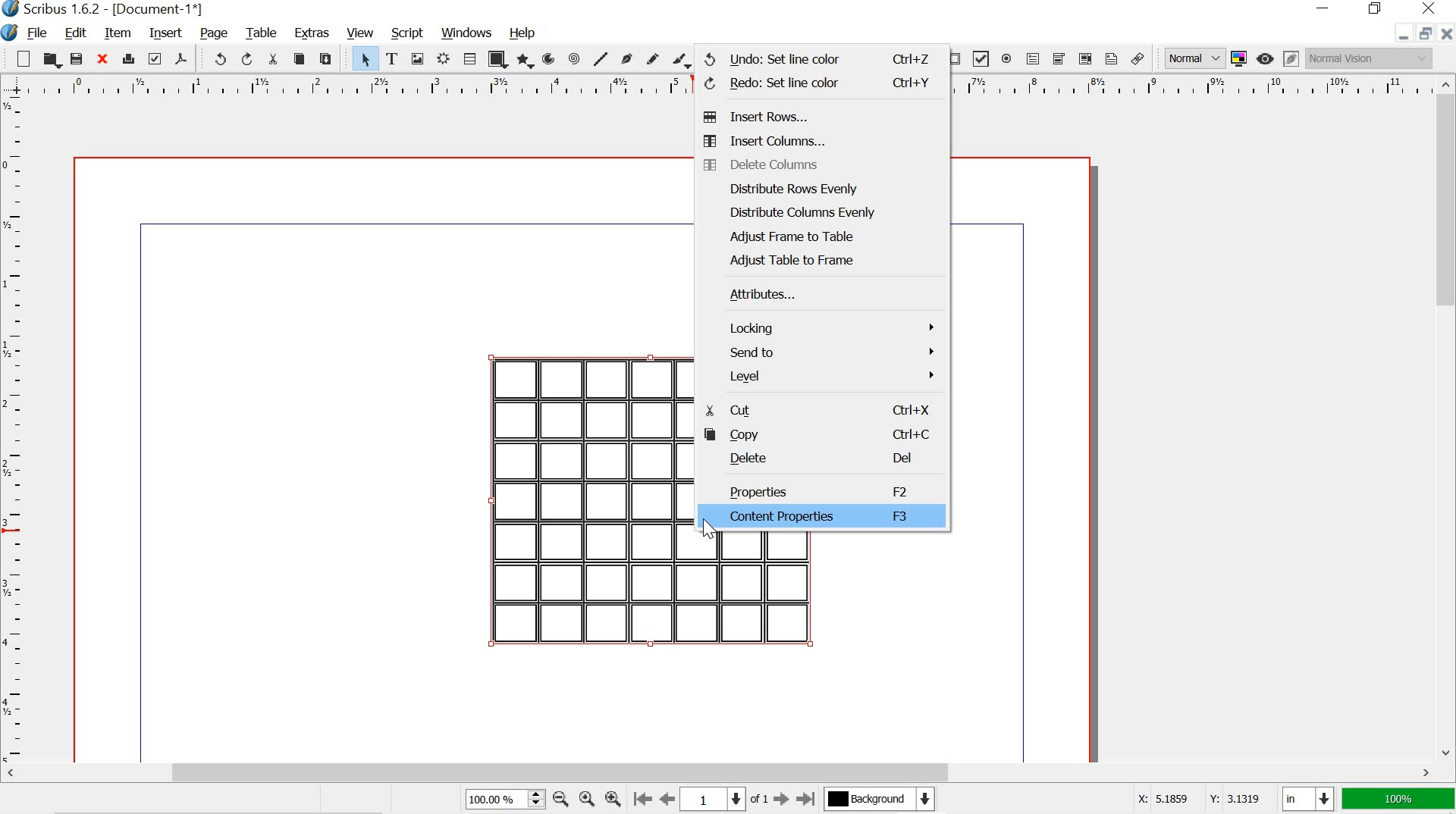  Describe the element at coordinates (723, 771) in the screenshot. I see `scrollbar` at that location.